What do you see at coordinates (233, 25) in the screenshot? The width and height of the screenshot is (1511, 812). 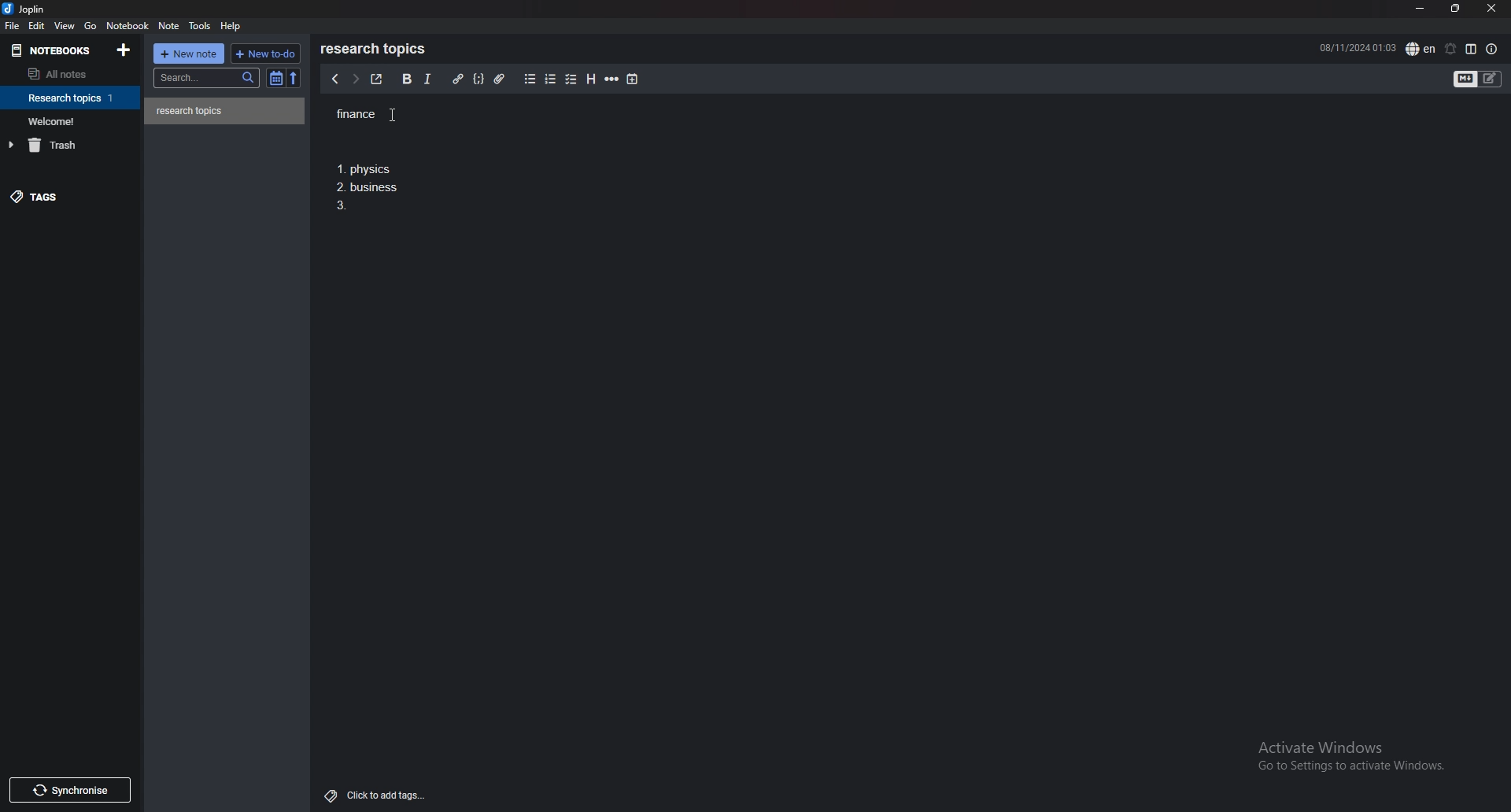 I see `help` at bounding box center [233, 25].